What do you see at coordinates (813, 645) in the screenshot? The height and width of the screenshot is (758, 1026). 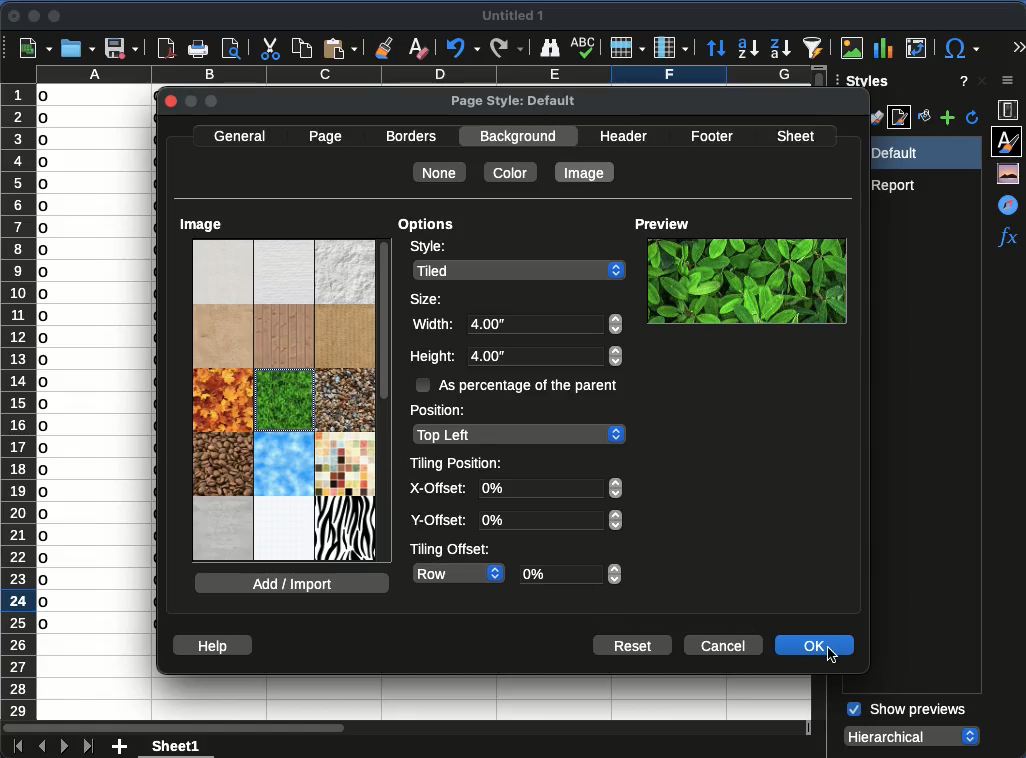 I see `ok` at bounding box center [813, 645].